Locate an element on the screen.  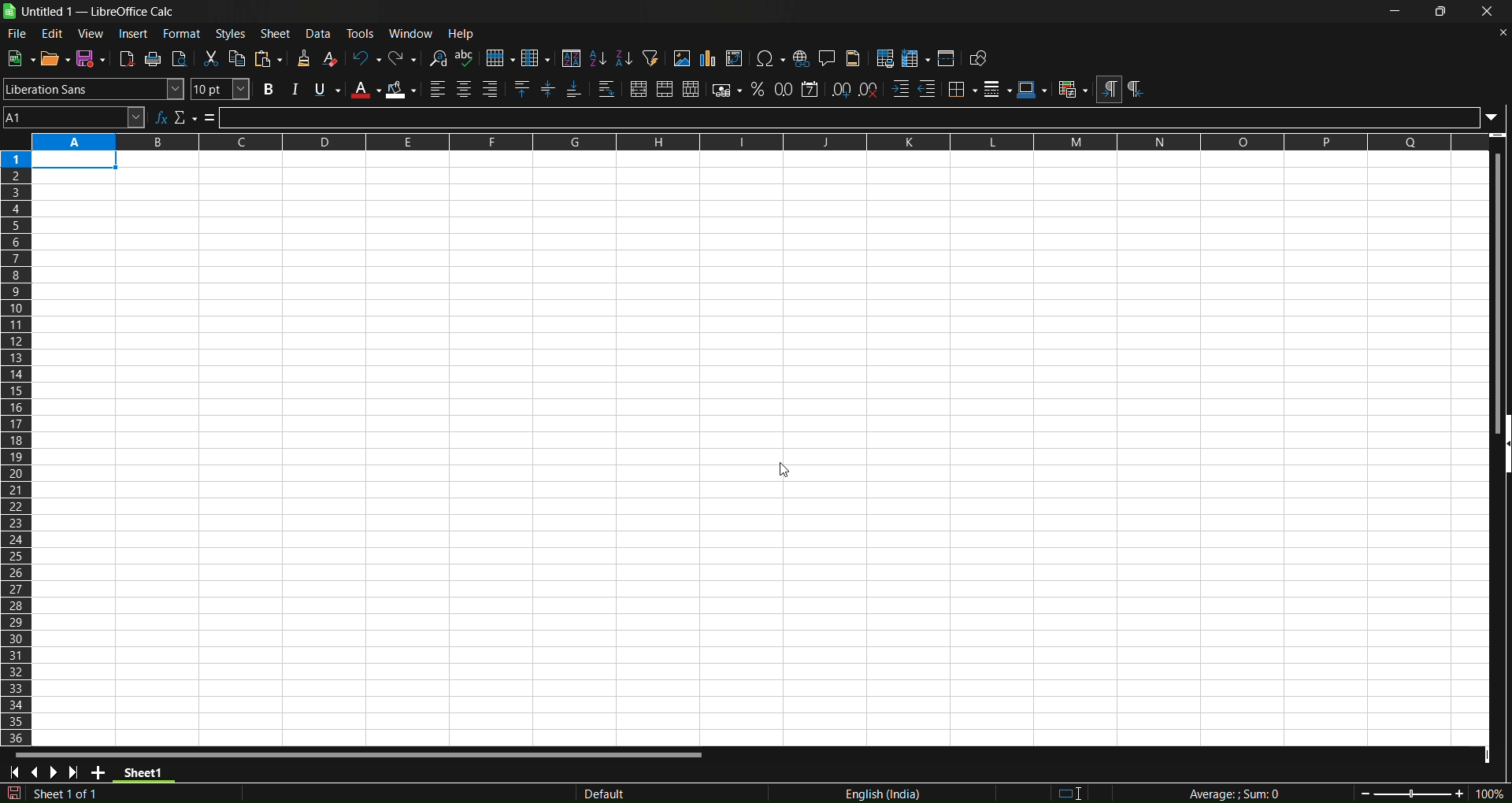
merge and center or unmerge cells depending on the current toggle state. is located at coordinates (639, 91).